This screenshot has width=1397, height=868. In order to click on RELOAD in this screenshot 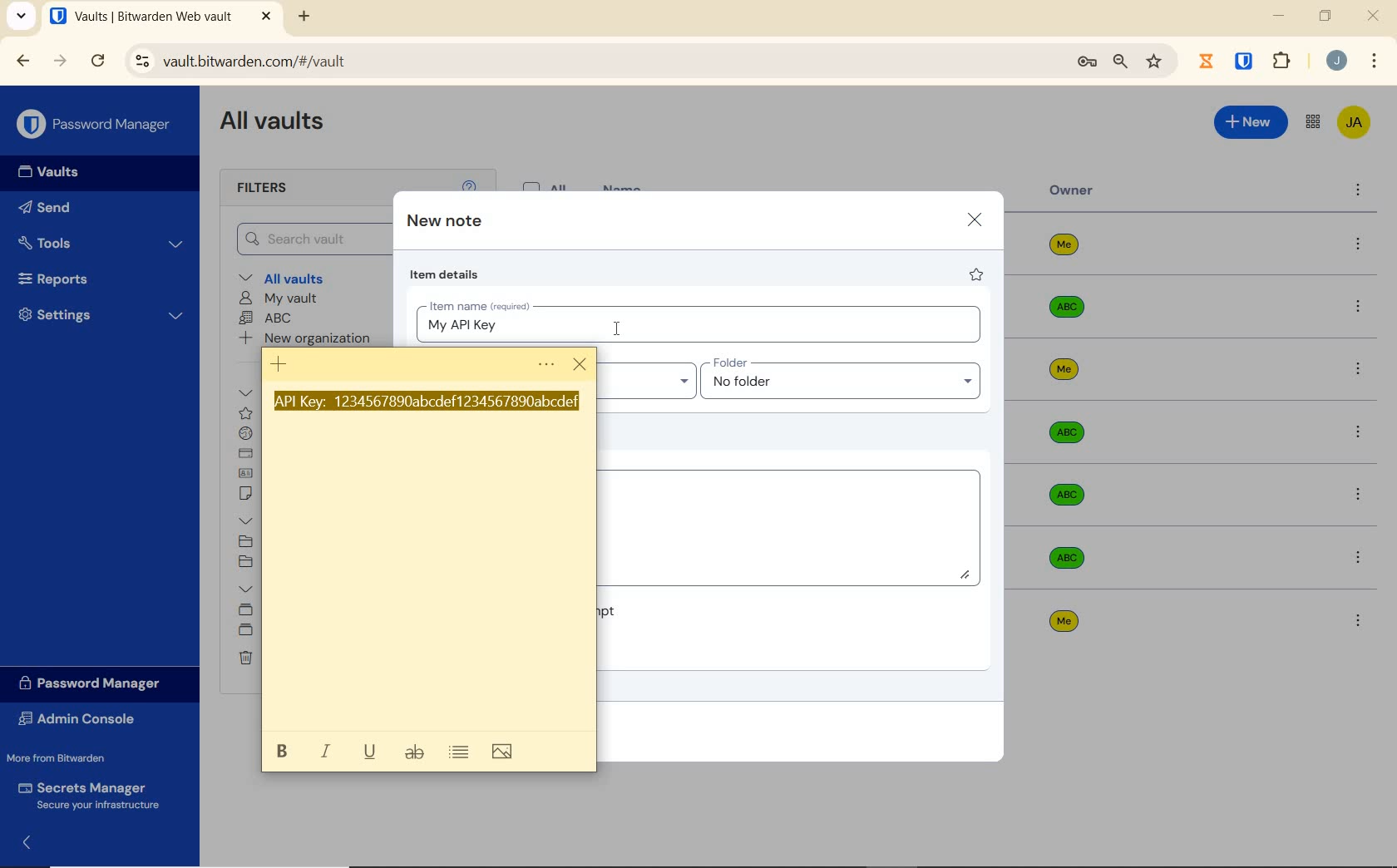, I will do `click(99, 62)`.